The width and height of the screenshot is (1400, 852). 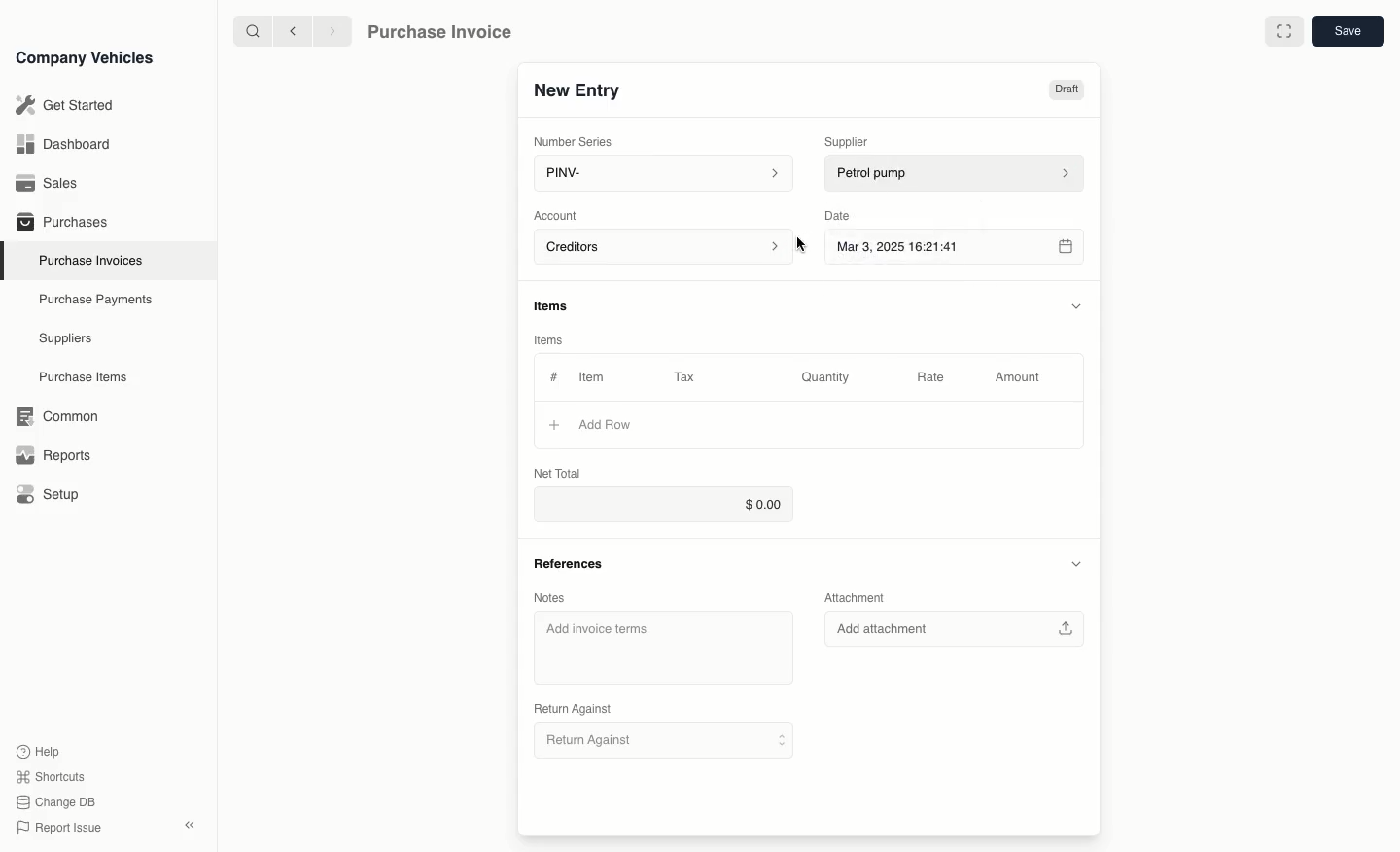 What do you see at coordinates (43, 751) in the screenshot?
I see `Help` at bounding box center [43, 751].